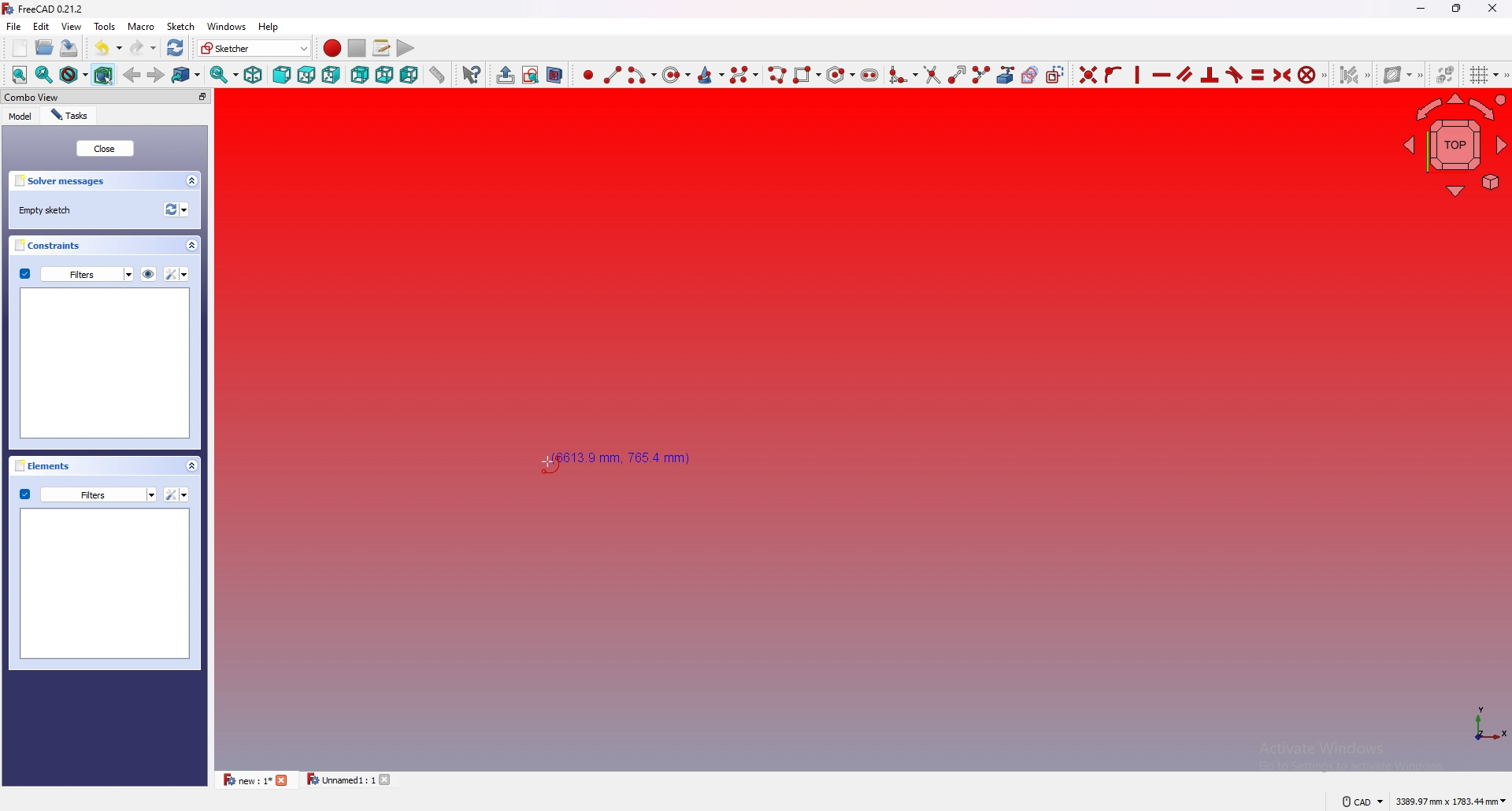  I want to click on create arc, so click(641, 76).